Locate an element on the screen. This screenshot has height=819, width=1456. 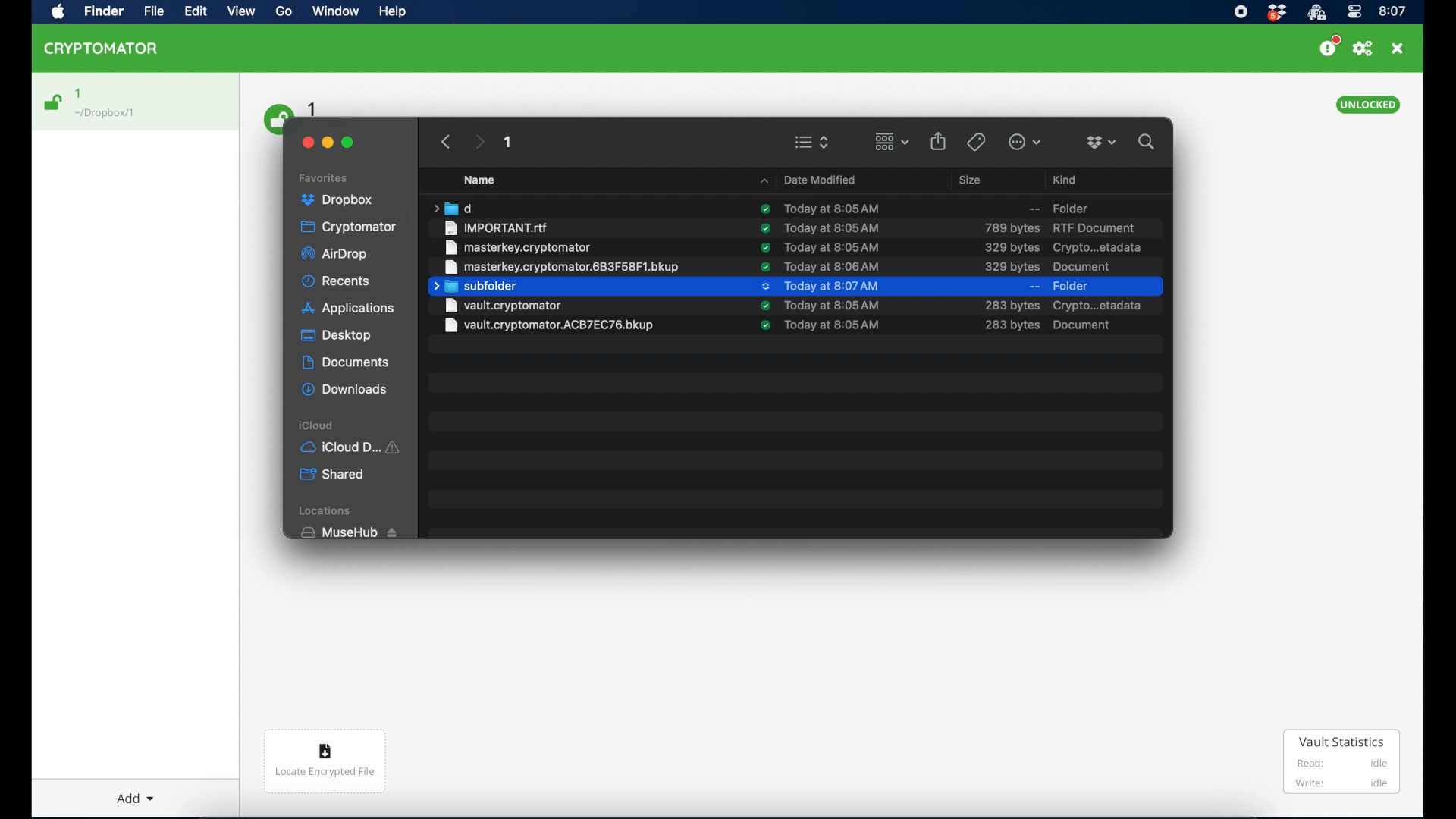
musehub is located at coordinates (348, 532).